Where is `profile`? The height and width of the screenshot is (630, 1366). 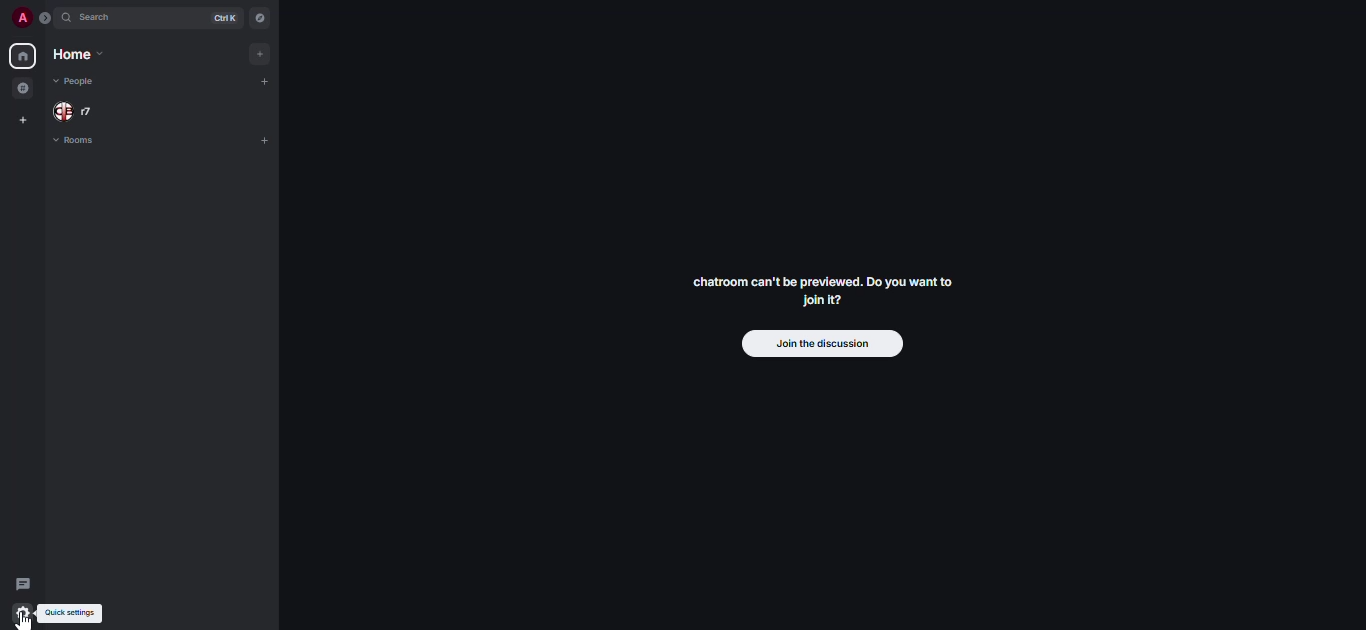
profile is located at coordinates (20, 18).